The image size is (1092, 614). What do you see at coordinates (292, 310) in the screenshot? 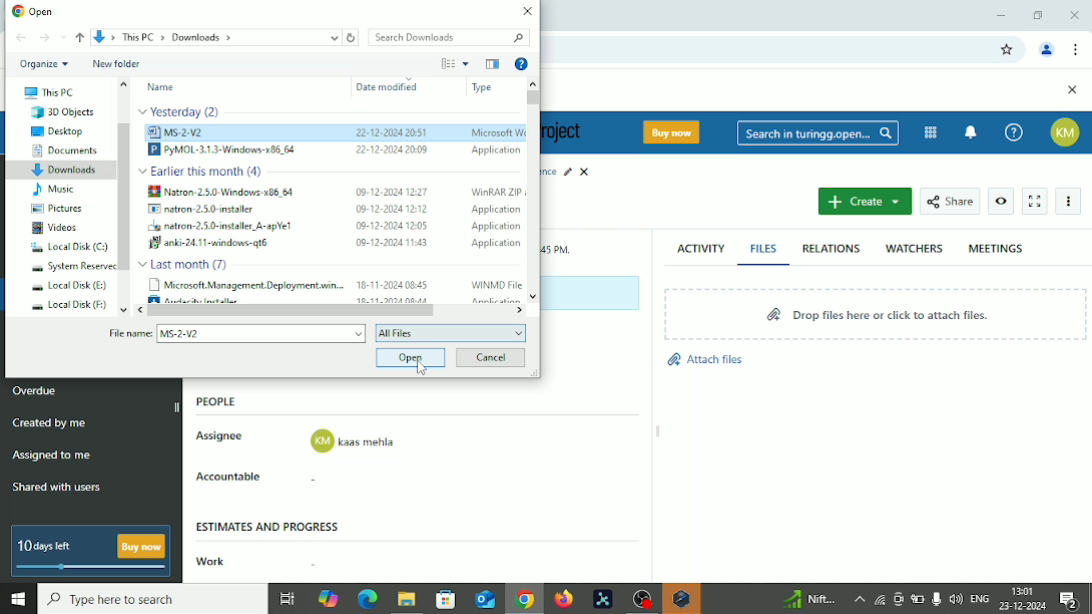
I see `Horizontal scrollbar` at bounding box center [292, 310].